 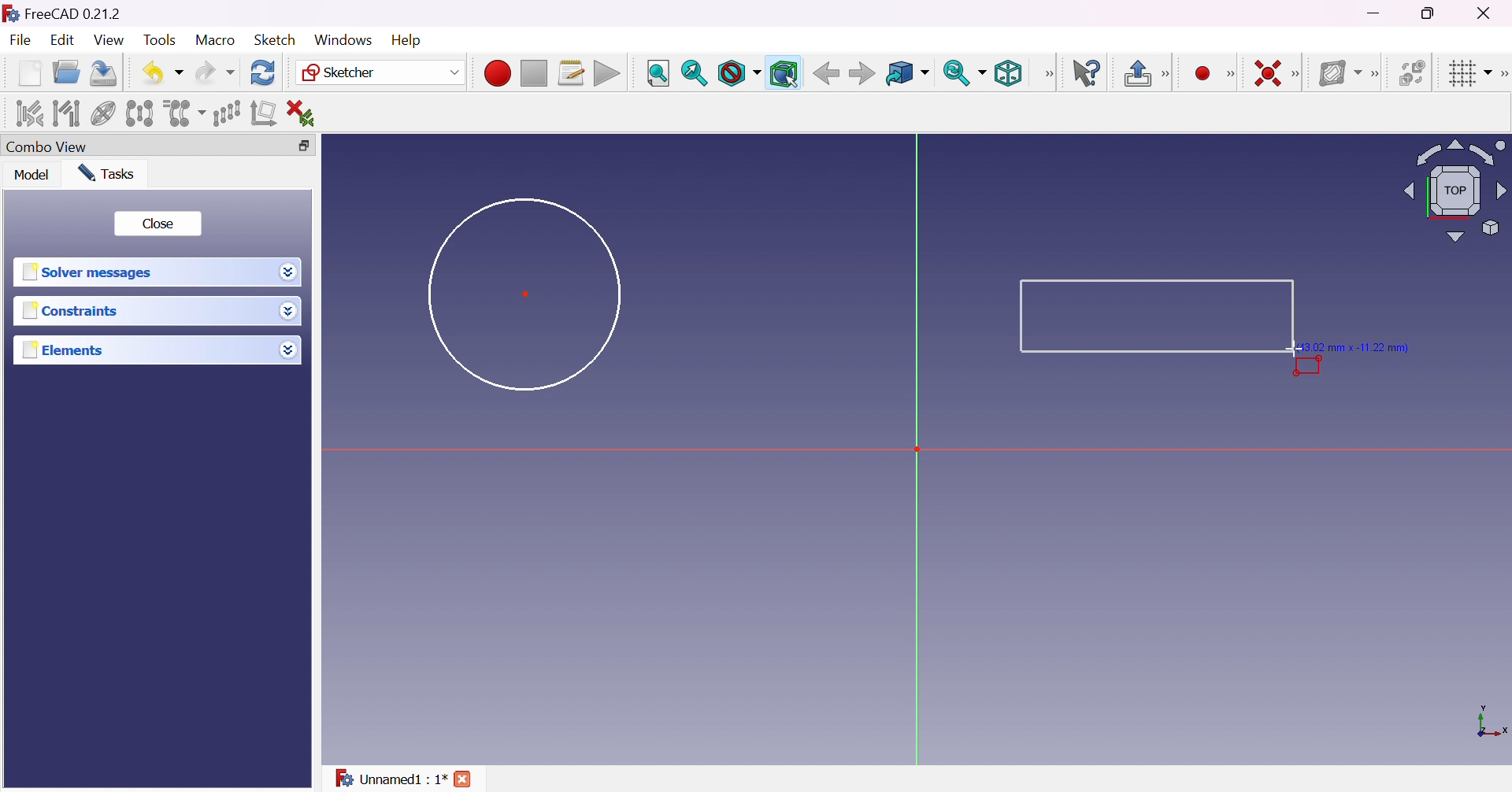 What do you see at coordinates (1050, 73) in the screenshot?
I see `View` at bounding box center [1050, 73].